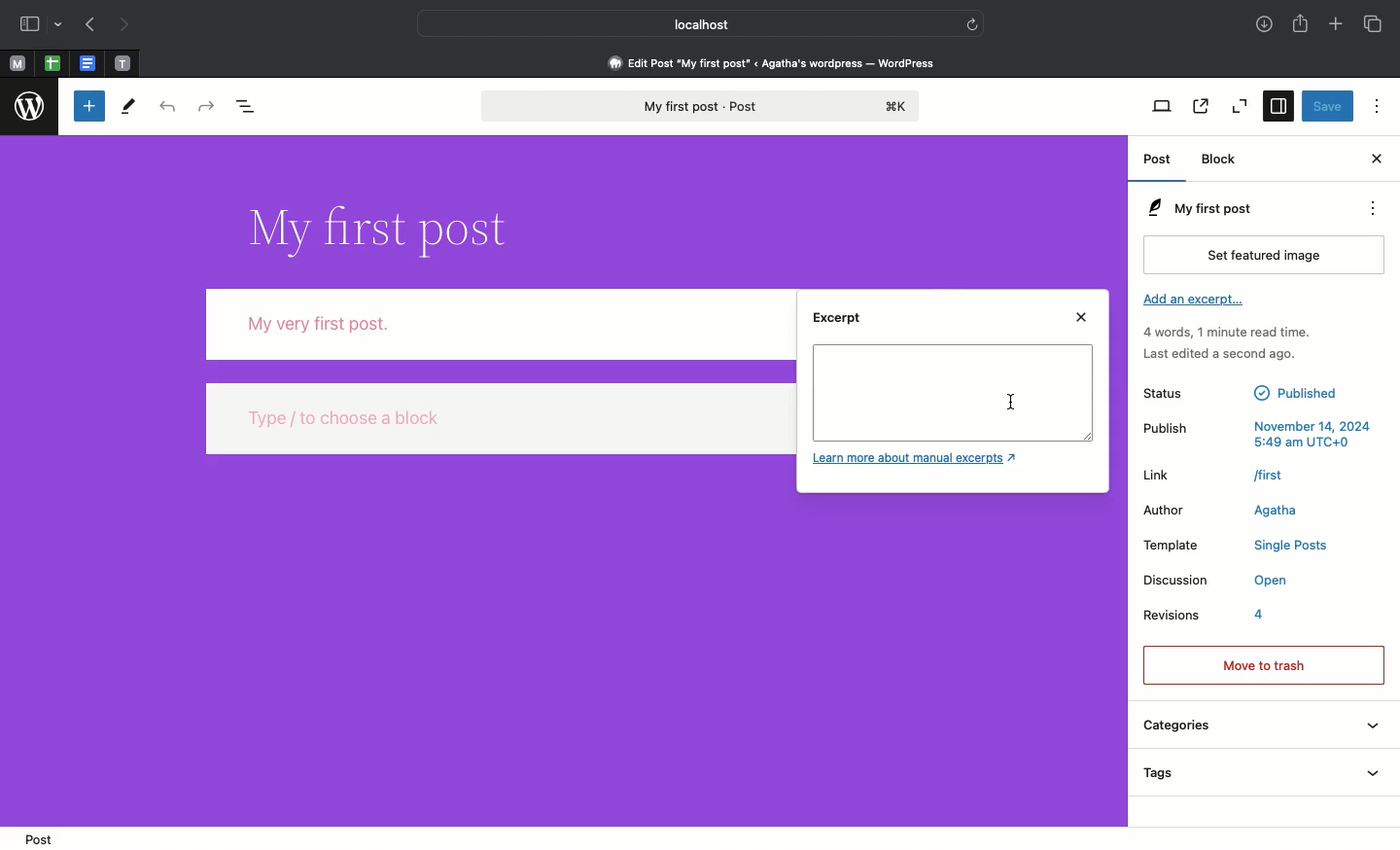 This screenshot has width=1400, height=850. What do you see at coordinates (1327, 107) in the screenshot?
I see `Save` at bounding box center [1327, 107].